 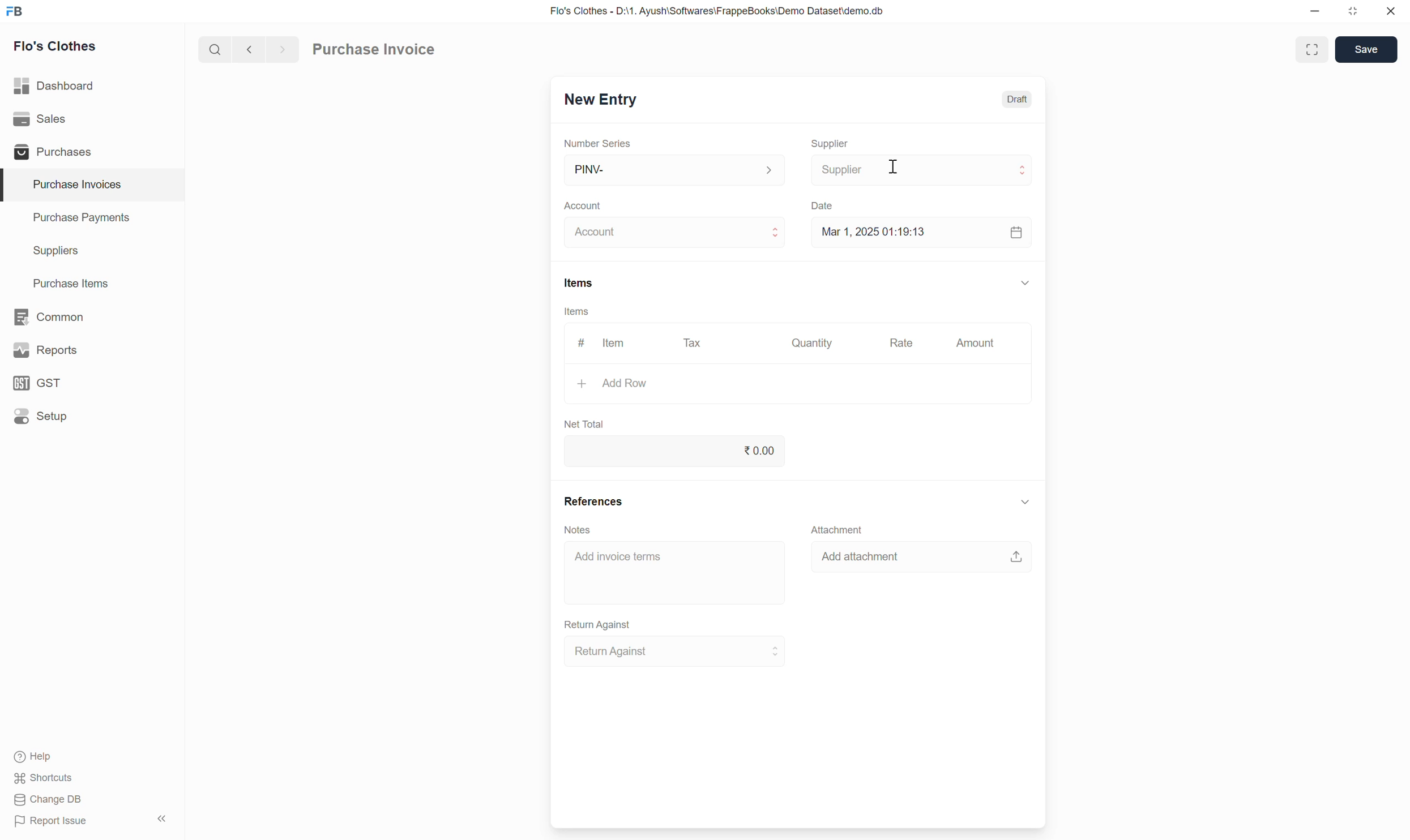 I want to click on Date, so click(x=824, y=203).